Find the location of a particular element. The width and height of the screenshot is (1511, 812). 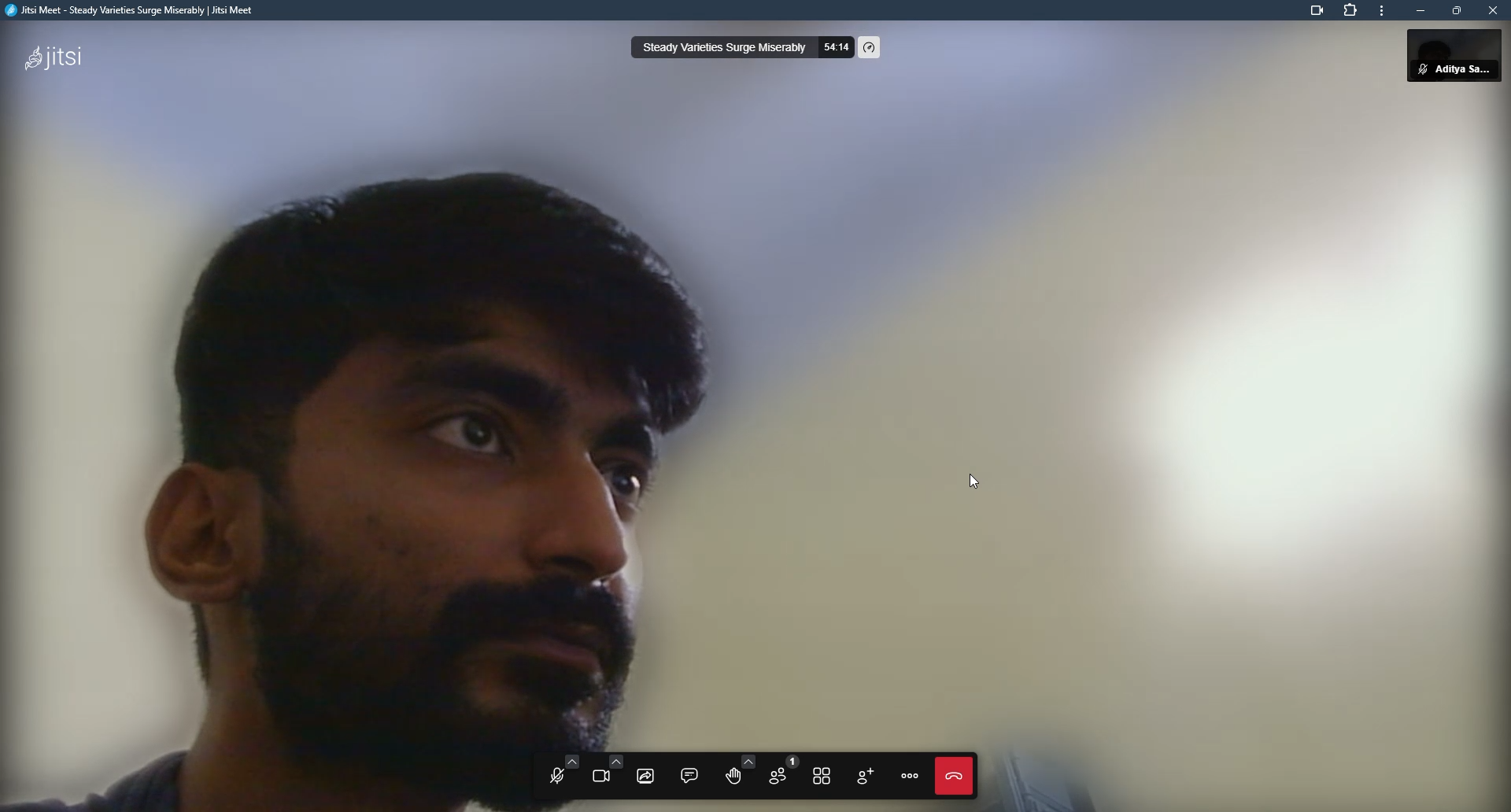

camera is located at coordinates (1311, 12).